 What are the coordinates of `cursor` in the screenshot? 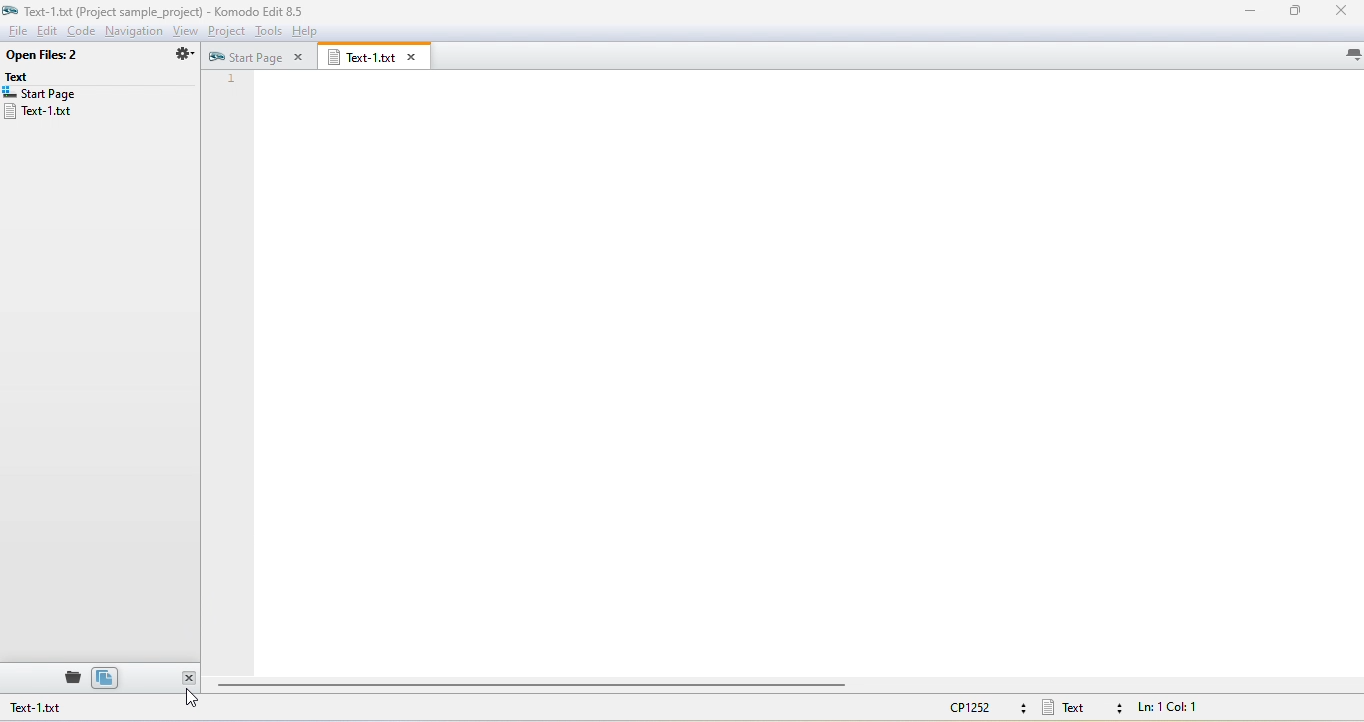 It's located at (192, 700).